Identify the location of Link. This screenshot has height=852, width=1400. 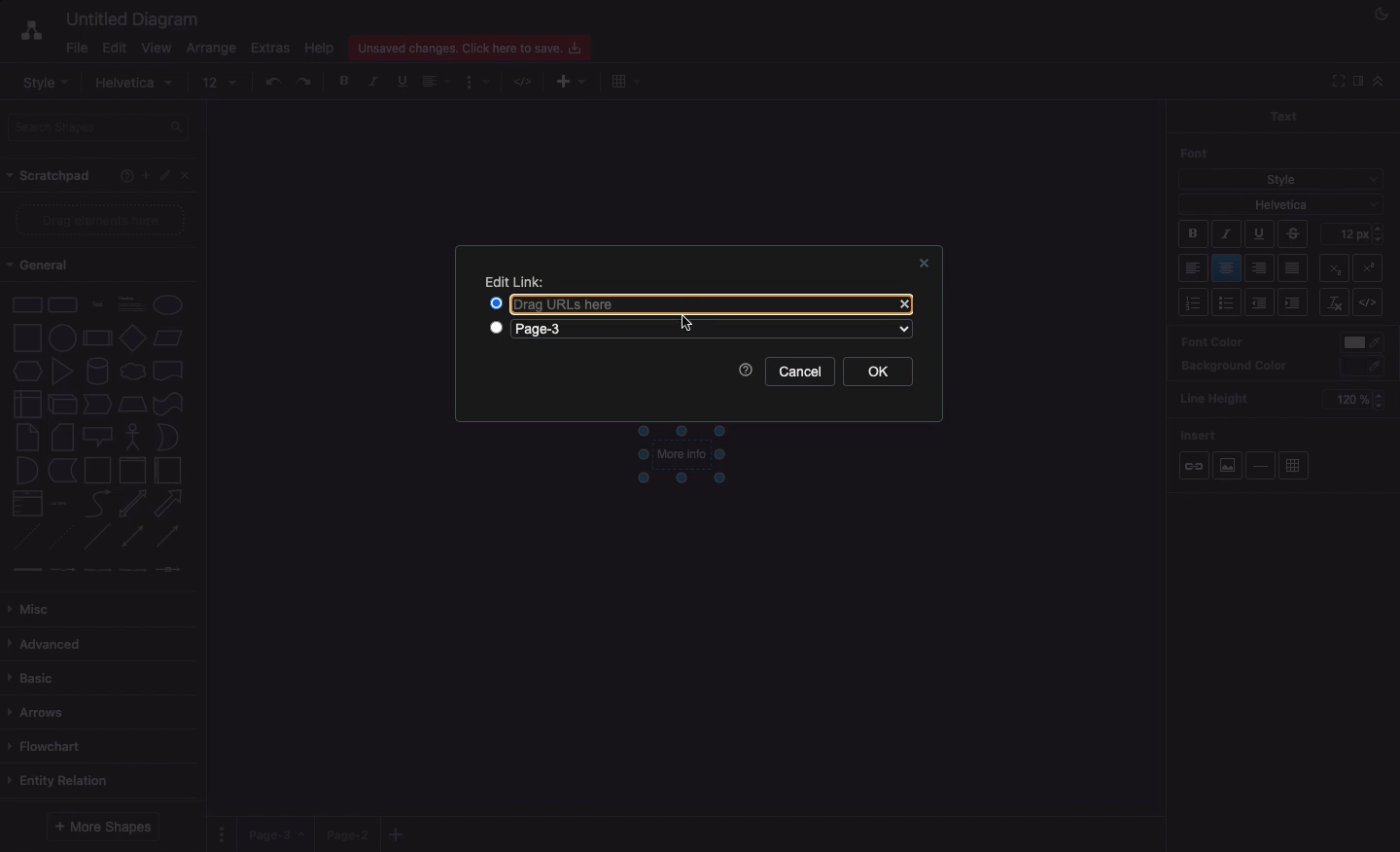
(1194, 467).